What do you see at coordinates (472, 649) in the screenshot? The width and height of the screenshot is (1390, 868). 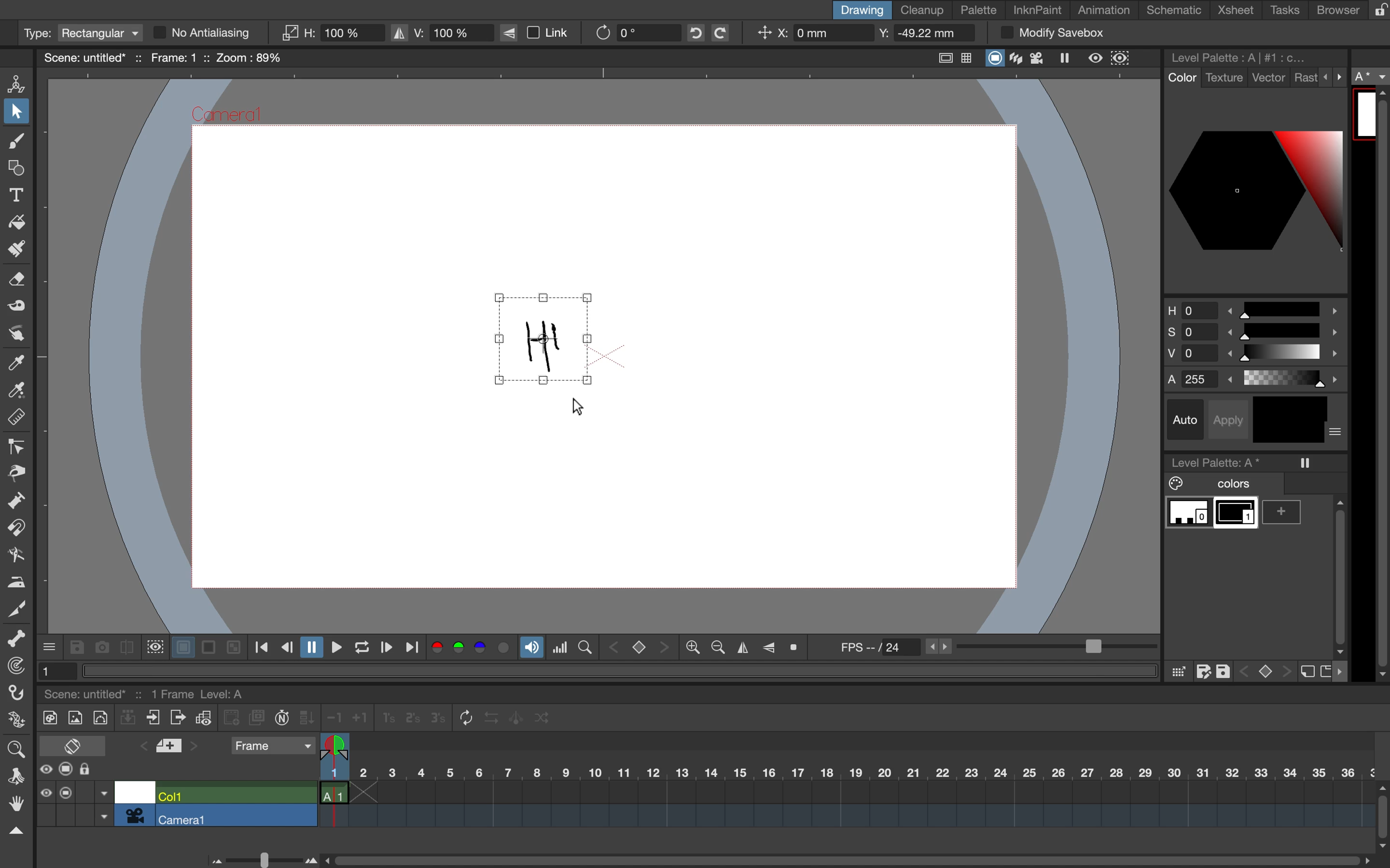 I see `colors` at bounding box center [472, 649].